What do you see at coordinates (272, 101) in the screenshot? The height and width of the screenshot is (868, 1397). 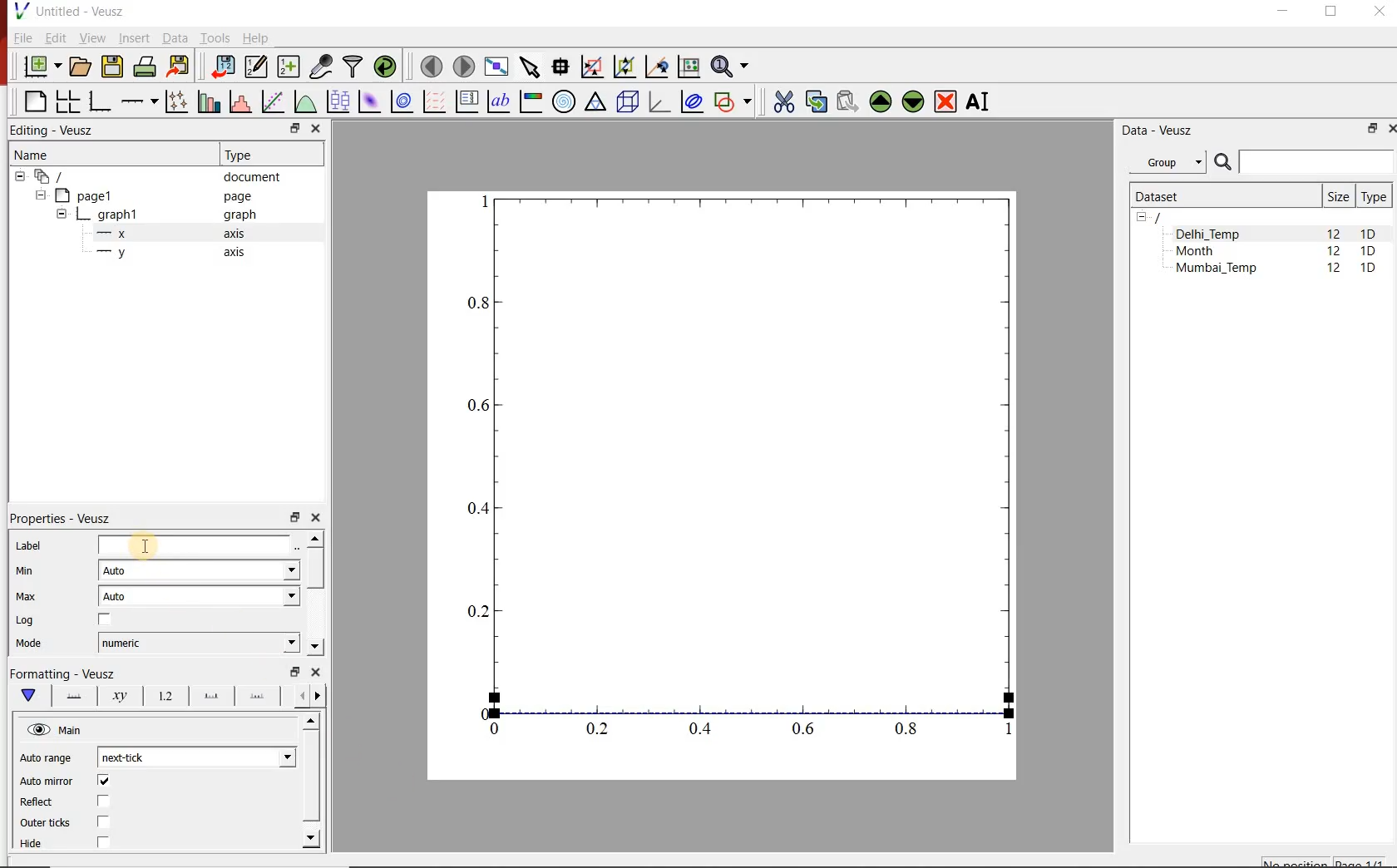 I see `fit a function to data` at bounding box center [272, 101].